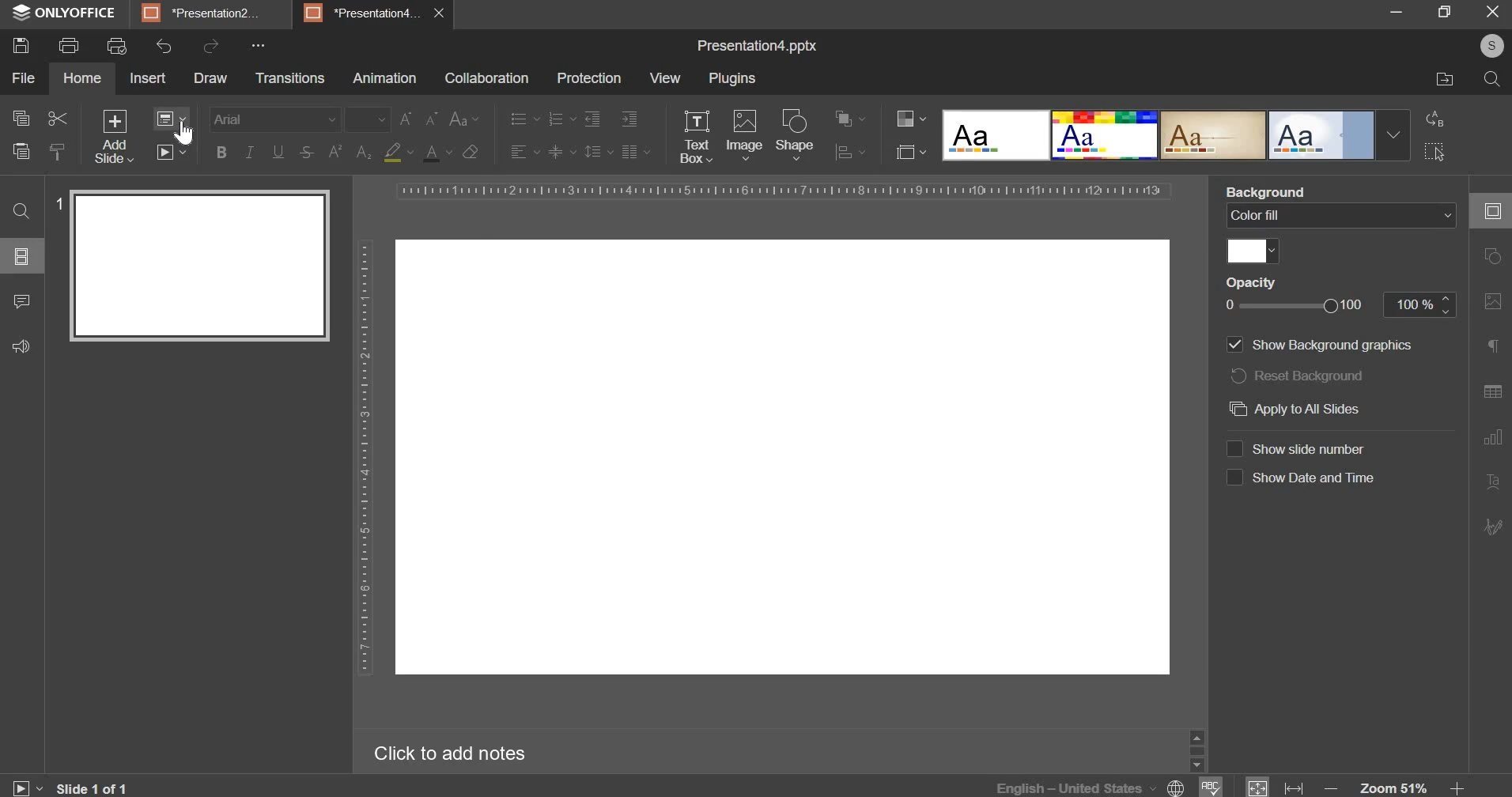  I want to click on protection, so click(590, 78).